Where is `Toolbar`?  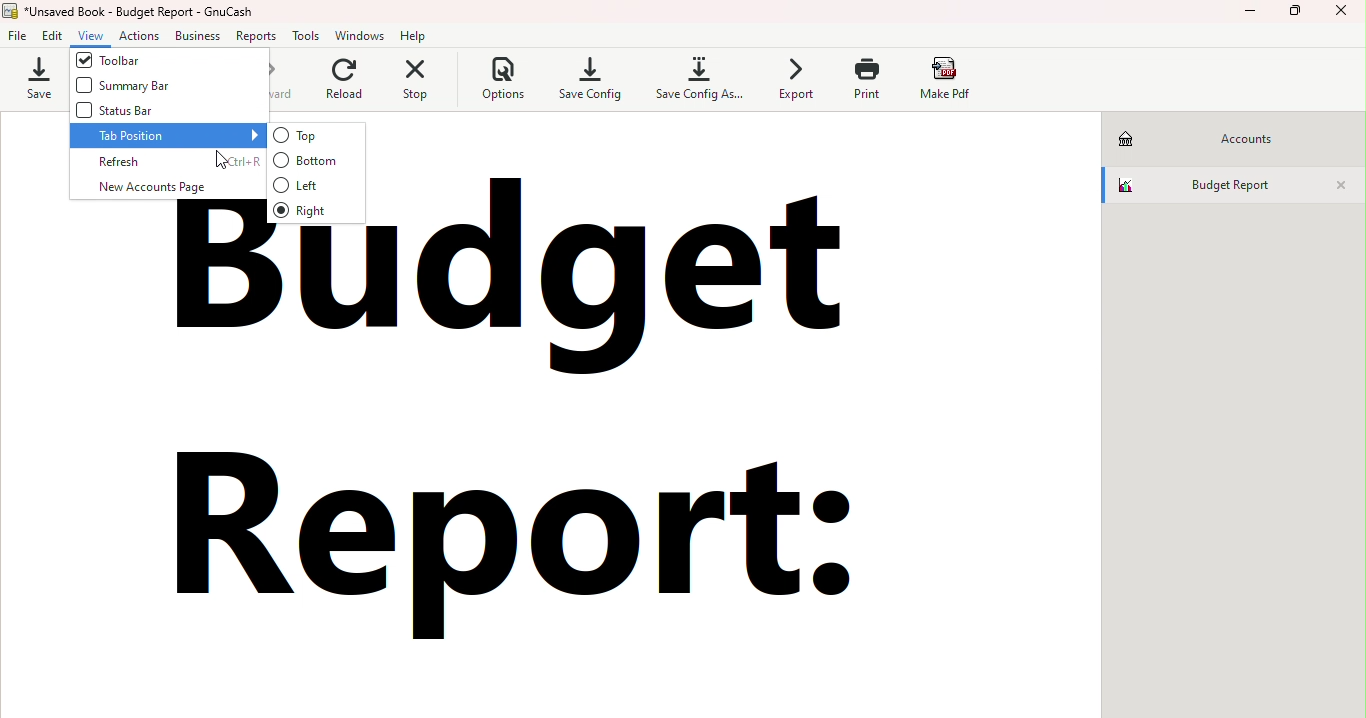
Toolbar is located at coordinates (148, 60).